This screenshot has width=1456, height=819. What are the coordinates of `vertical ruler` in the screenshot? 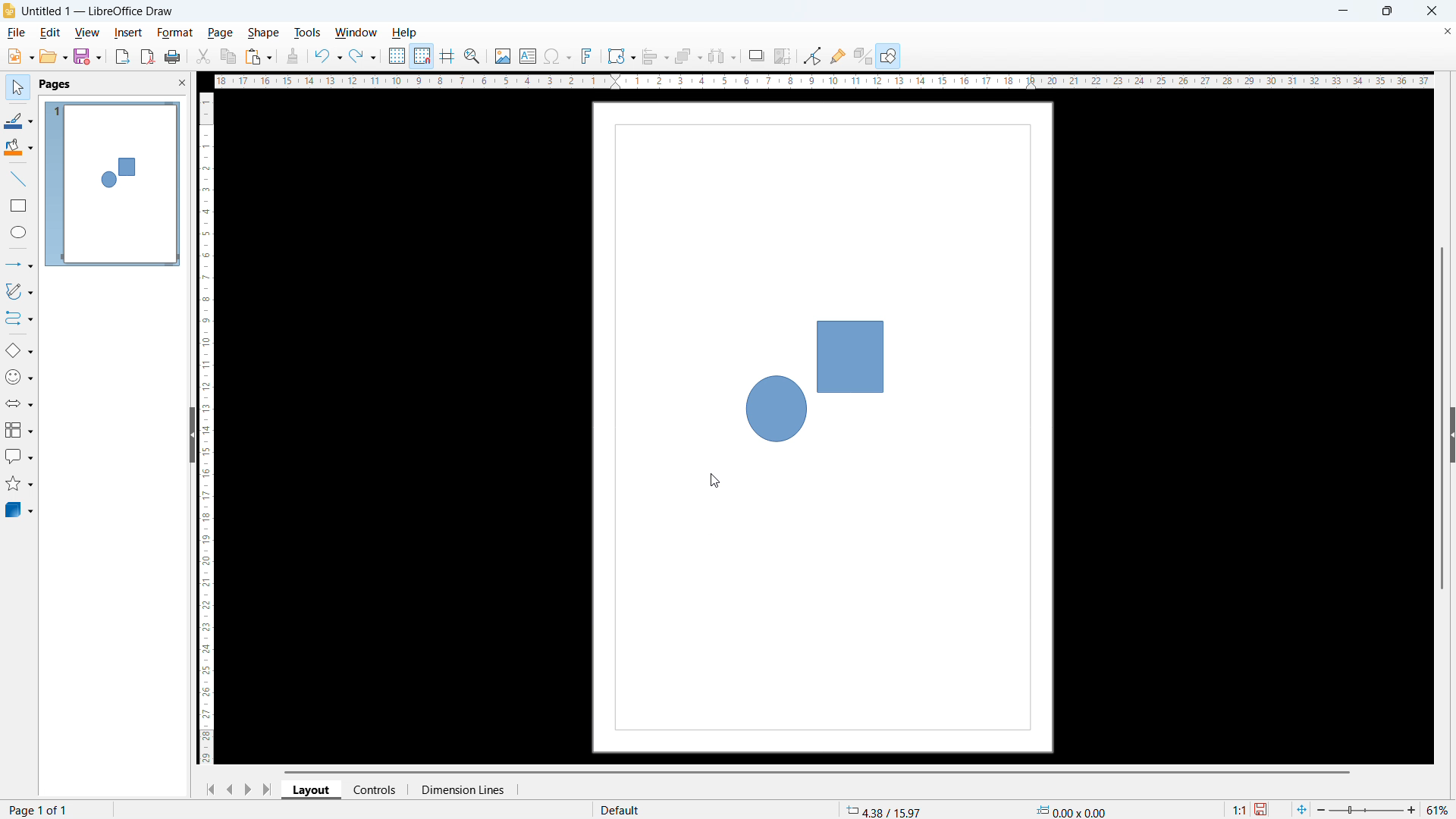 It's located at (205, 428).